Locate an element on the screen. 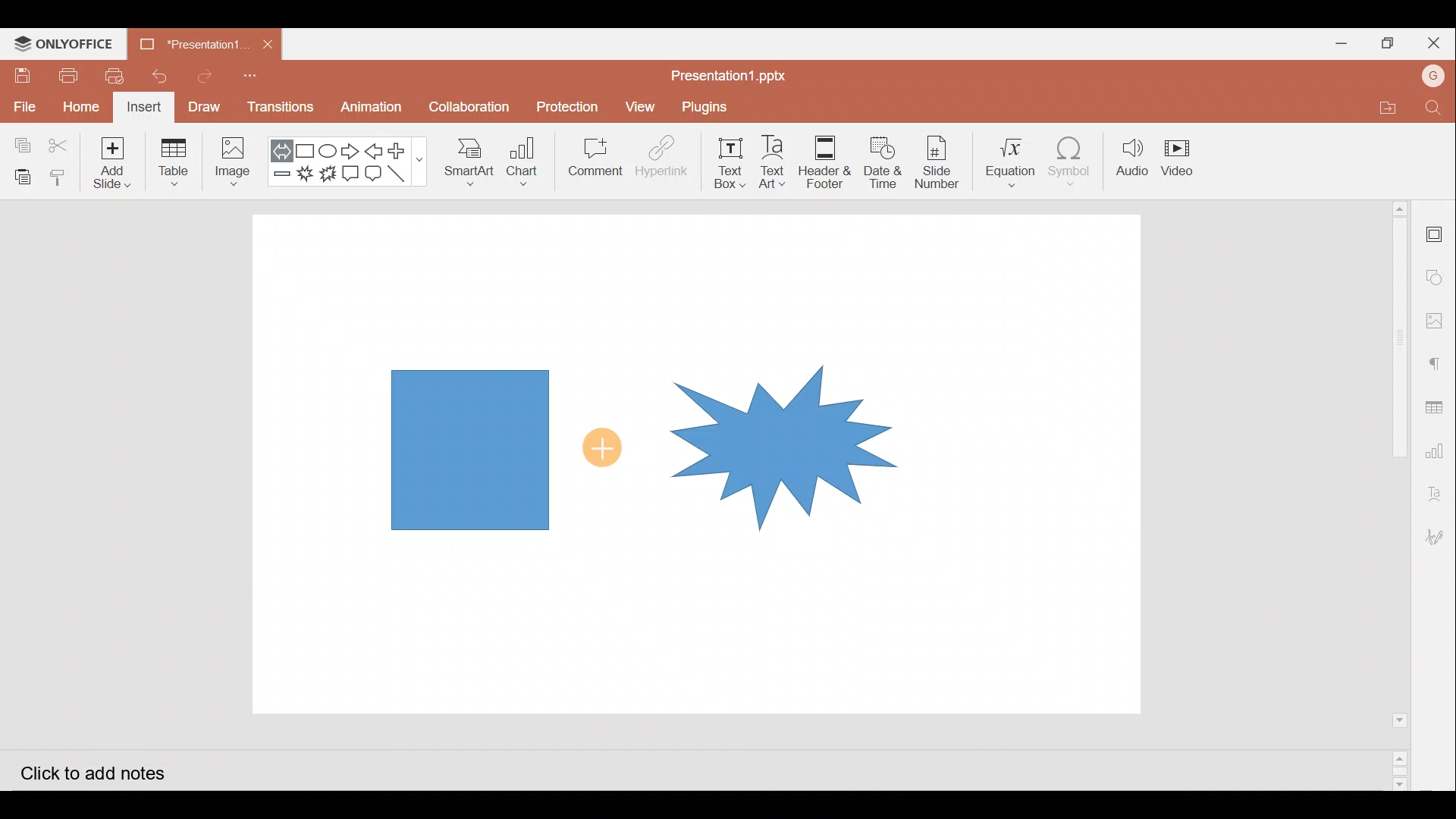 Image resolution: width=1456 pixels, height=819 pixels. Text Art settings is located at coordinates (1439, 488).